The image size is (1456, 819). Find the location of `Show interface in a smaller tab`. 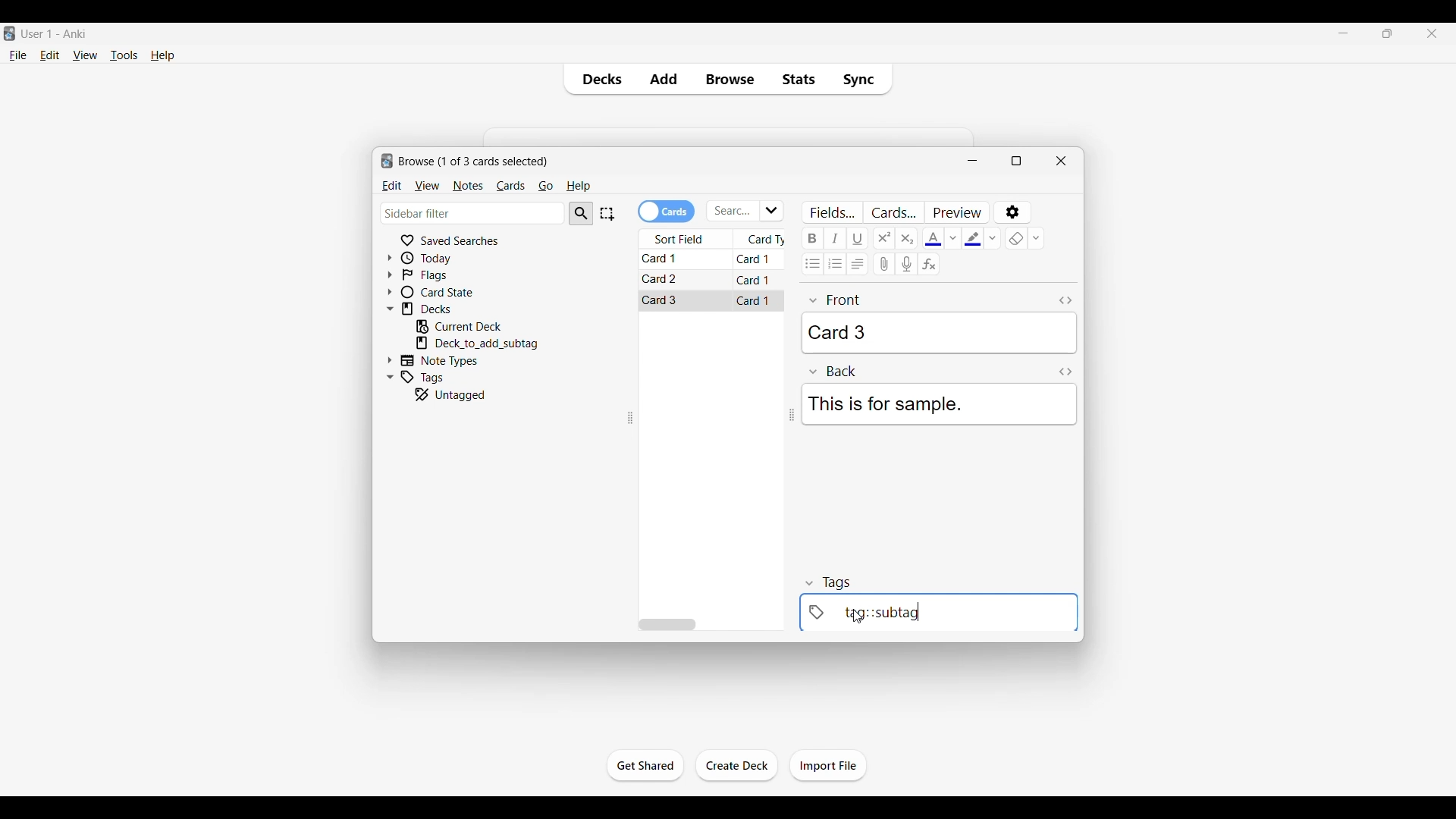

Show interface in a smaller tab is located at coordinates (1387, 33).